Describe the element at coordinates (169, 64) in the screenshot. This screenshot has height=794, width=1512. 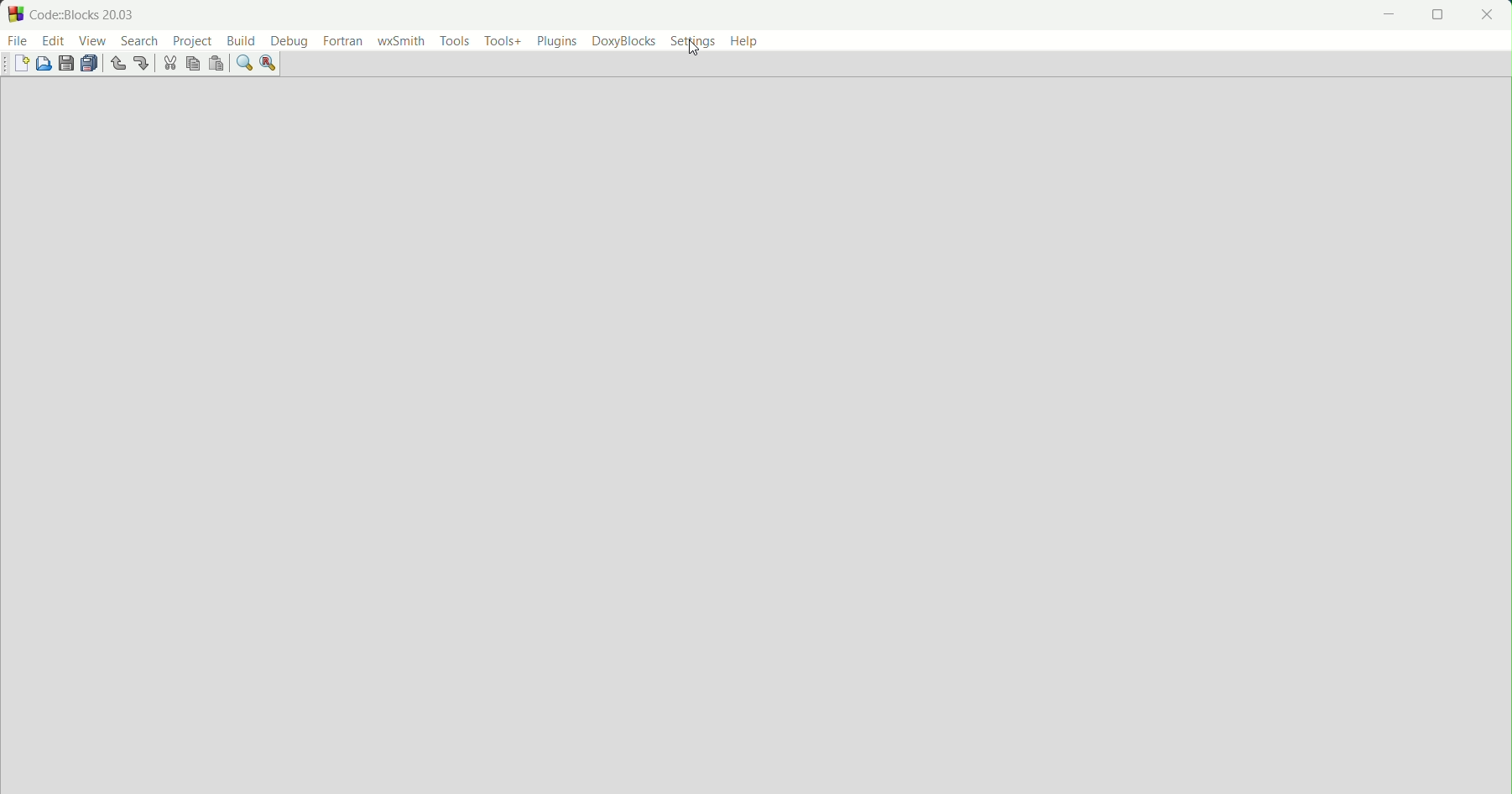
I see `cut` at that location.